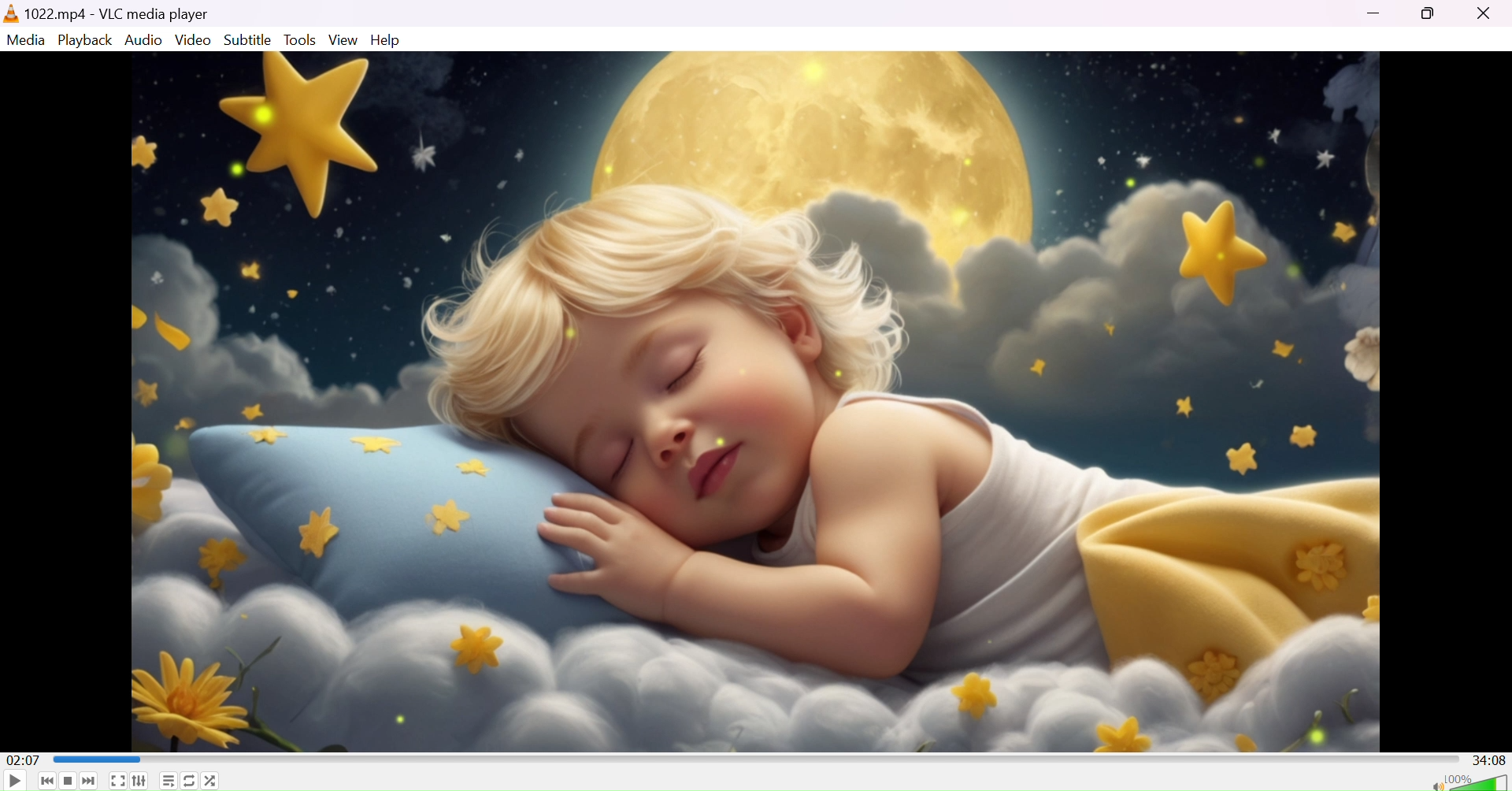  What do you see at coordinates (169, 780) in the screenshot?
I see `Toggle playlist` at bounding box center [169, 780].